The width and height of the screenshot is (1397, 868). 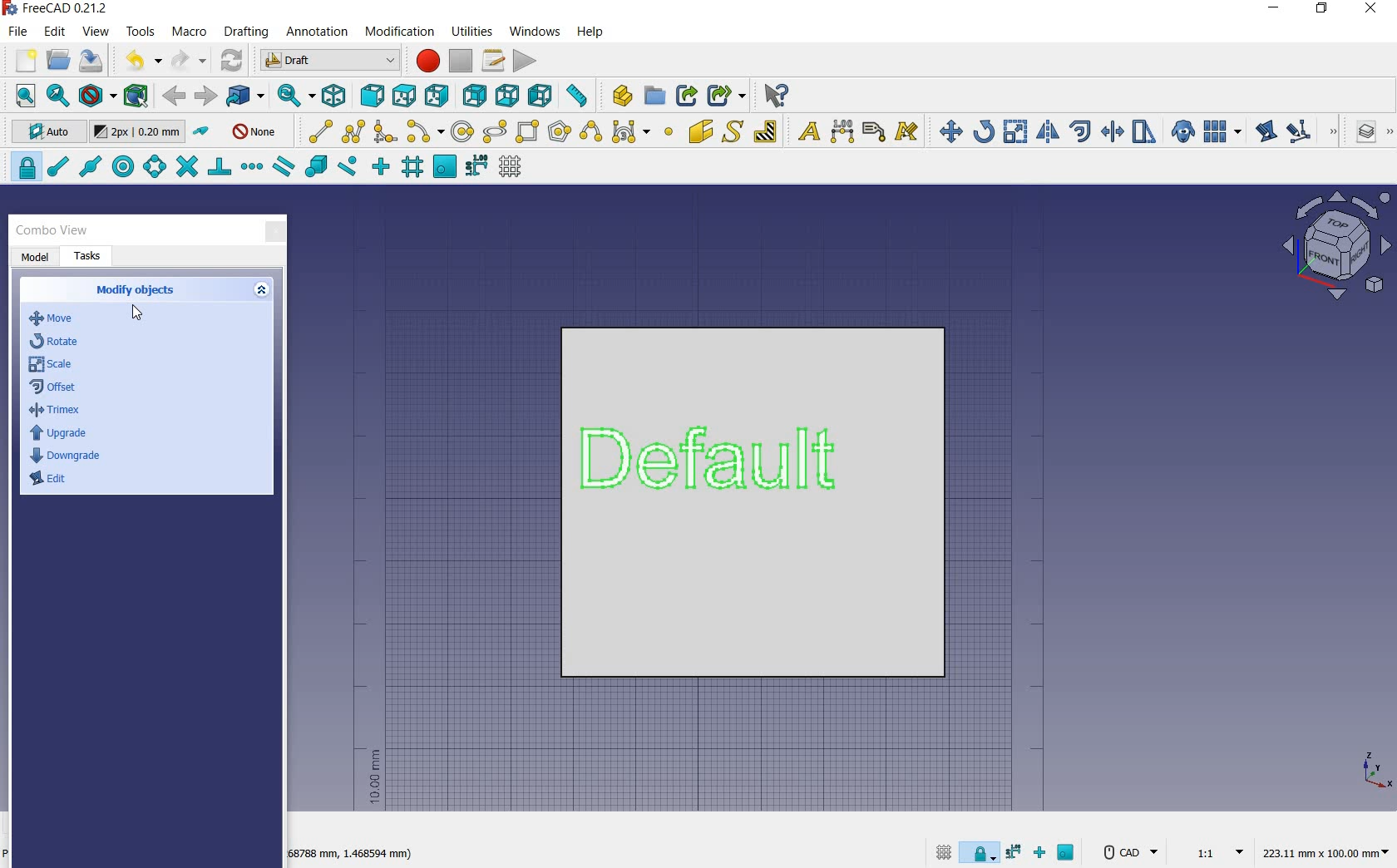 What do you see at coordinates (57, 388) in the screenshot?
I see `offset` at bounding box center [57, 388].